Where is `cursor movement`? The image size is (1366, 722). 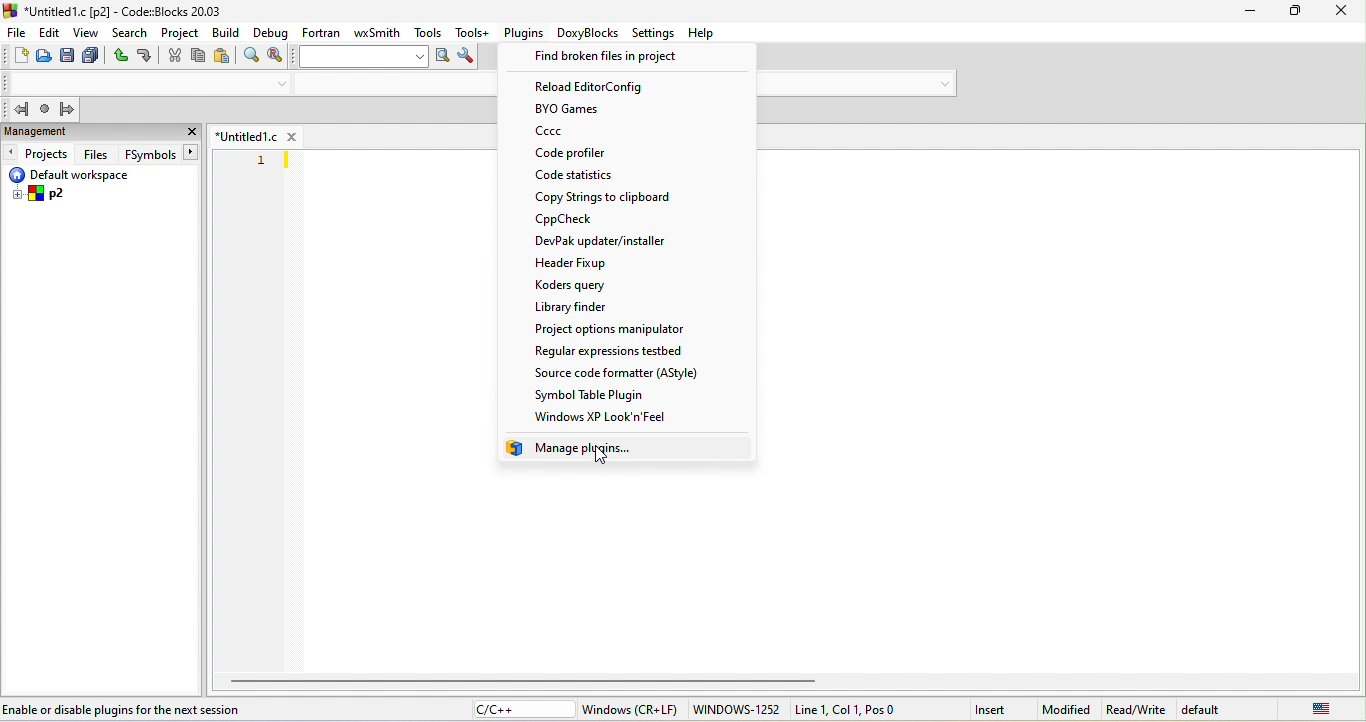
cursor movement is located at coordinates (609, 455).